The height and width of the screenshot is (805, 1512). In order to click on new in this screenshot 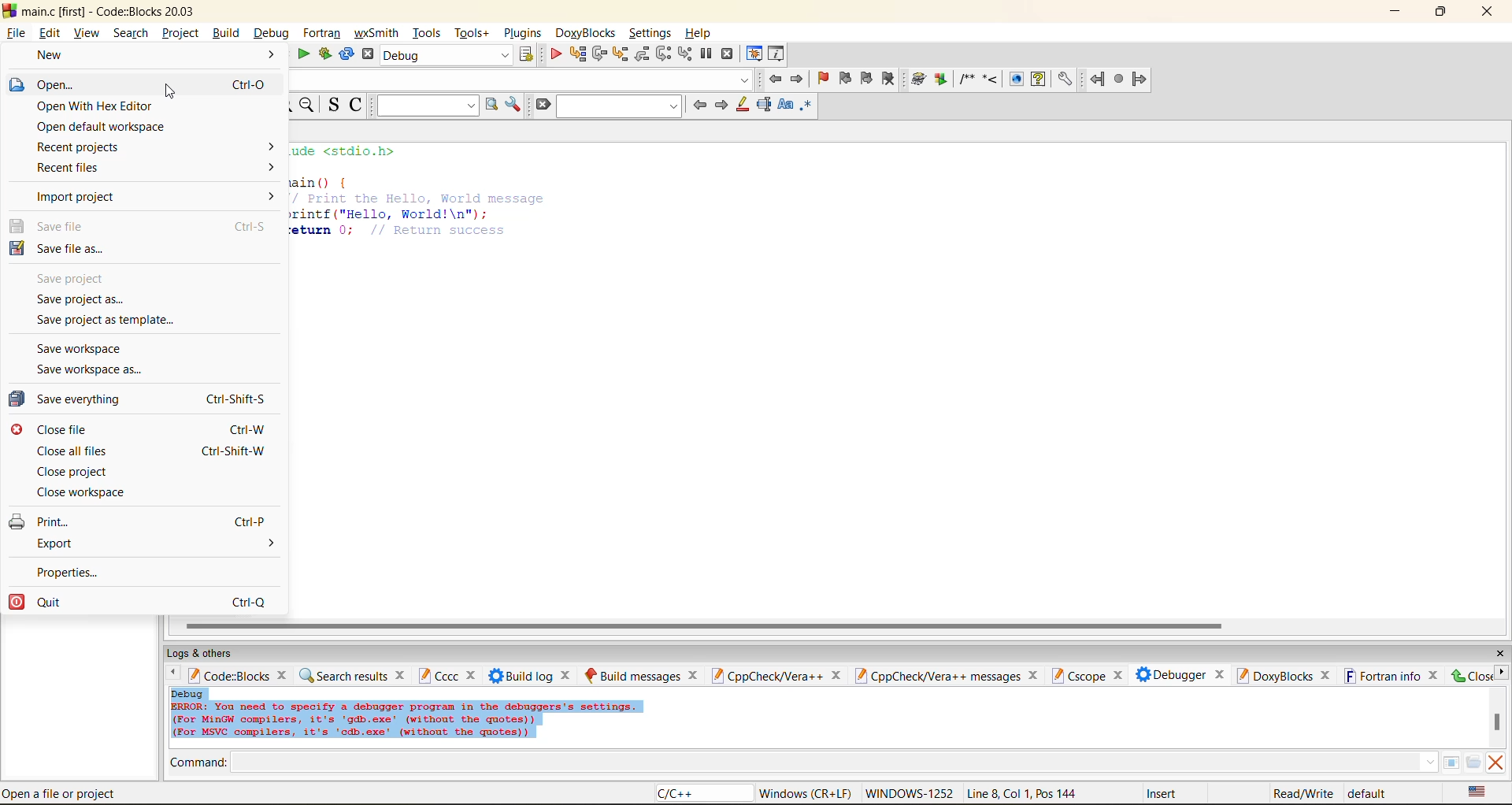, I will do `click(151, 55)`.